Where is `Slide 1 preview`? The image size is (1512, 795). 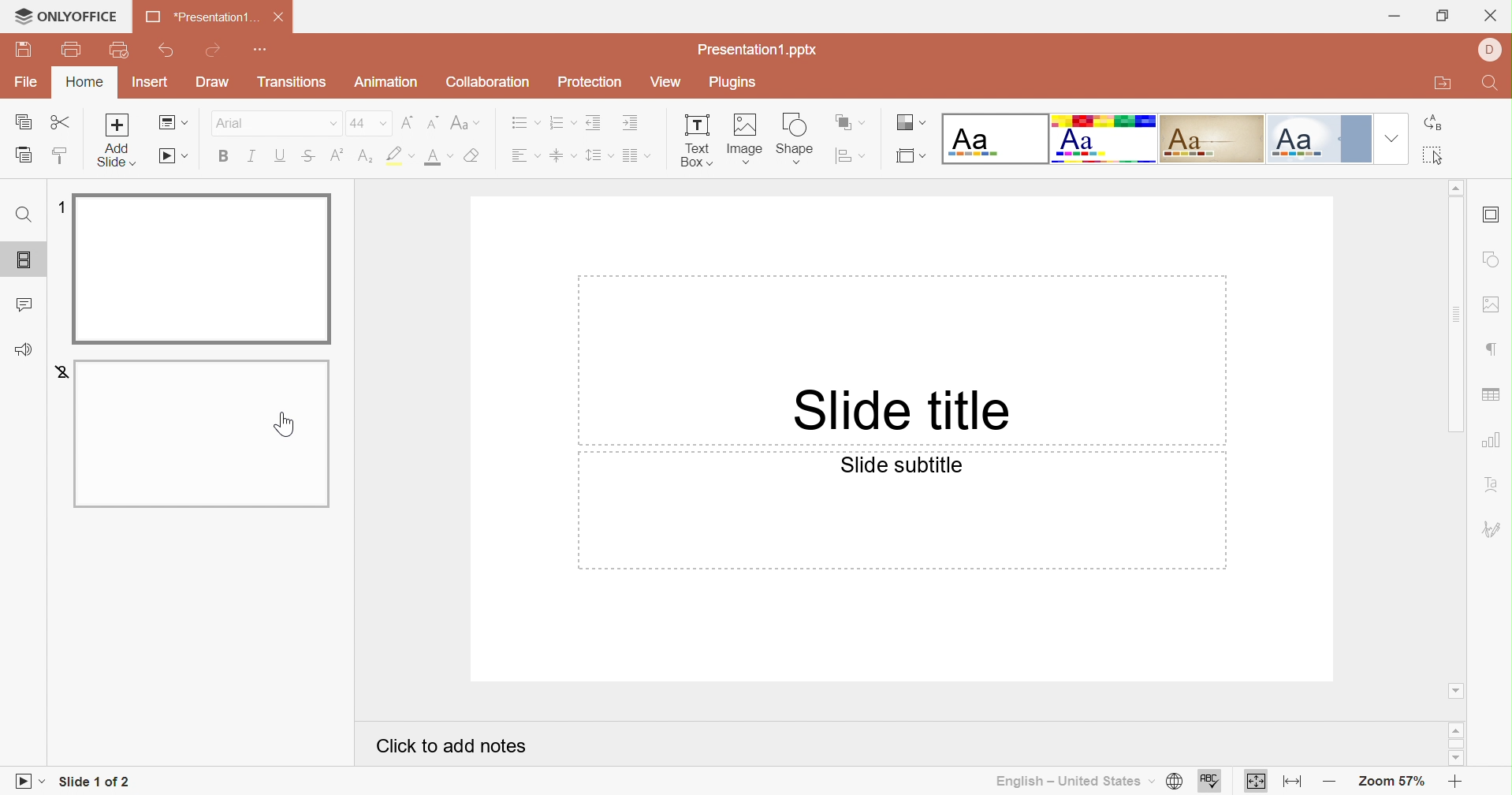 Slide 1 preview is located at coordinates (201, 268).